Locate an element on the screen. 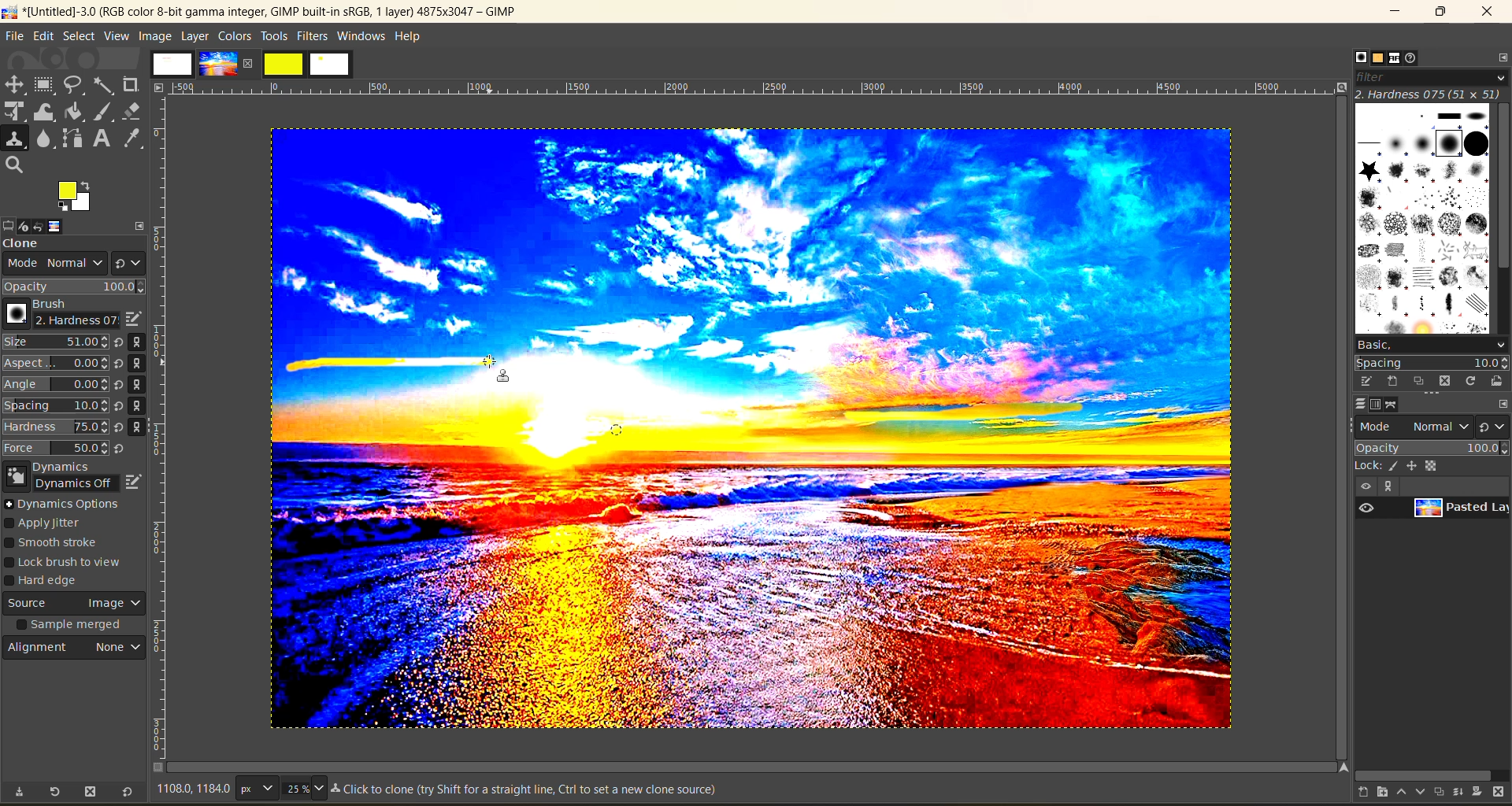 The height and width of the screenshot is (806, 1512). Lock: is located at coordinates (1369, 466).